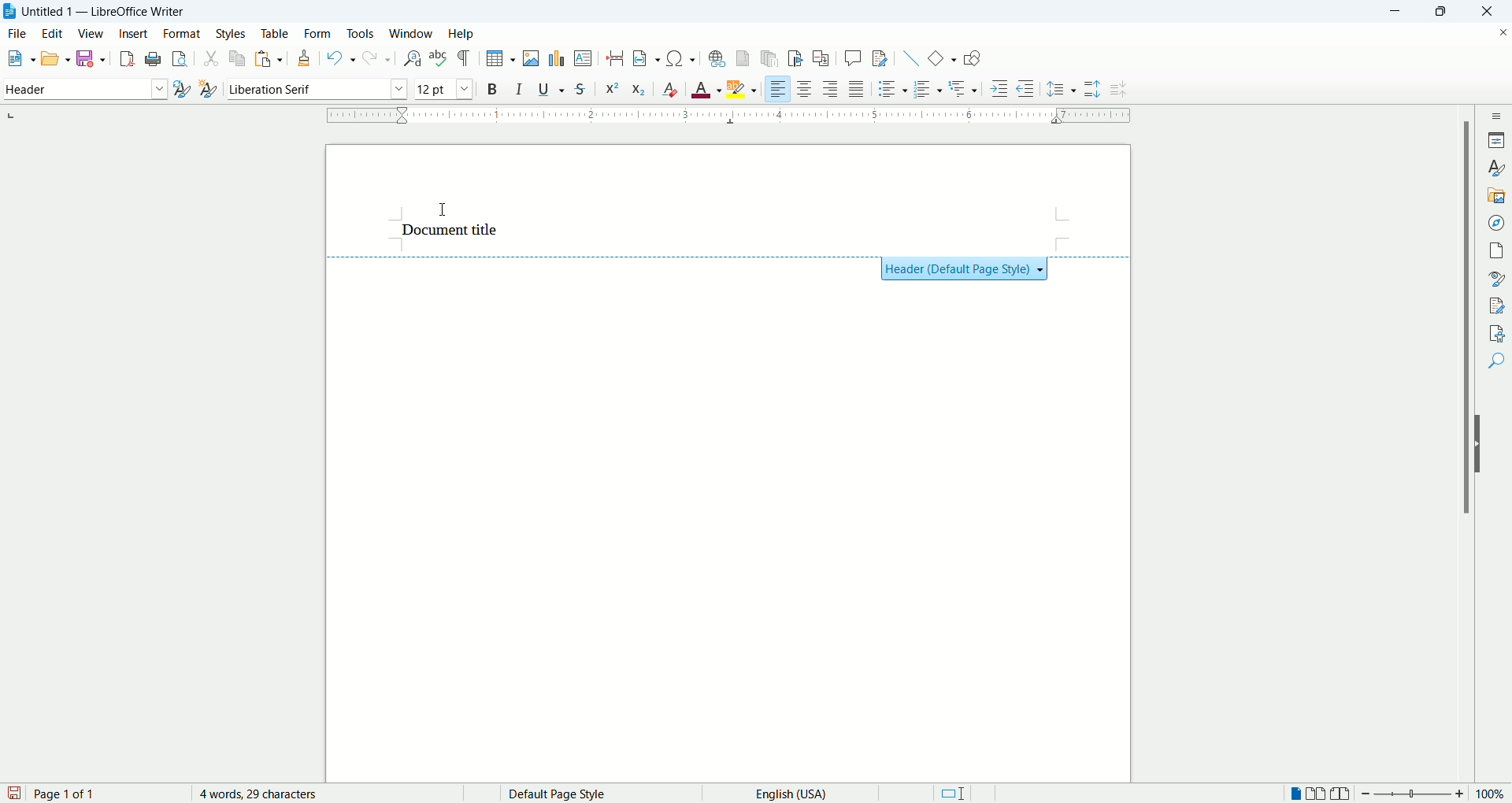 Image resolution: width=1512 pixels, height=803 pixels. I want to click on view, so click(92, 34).